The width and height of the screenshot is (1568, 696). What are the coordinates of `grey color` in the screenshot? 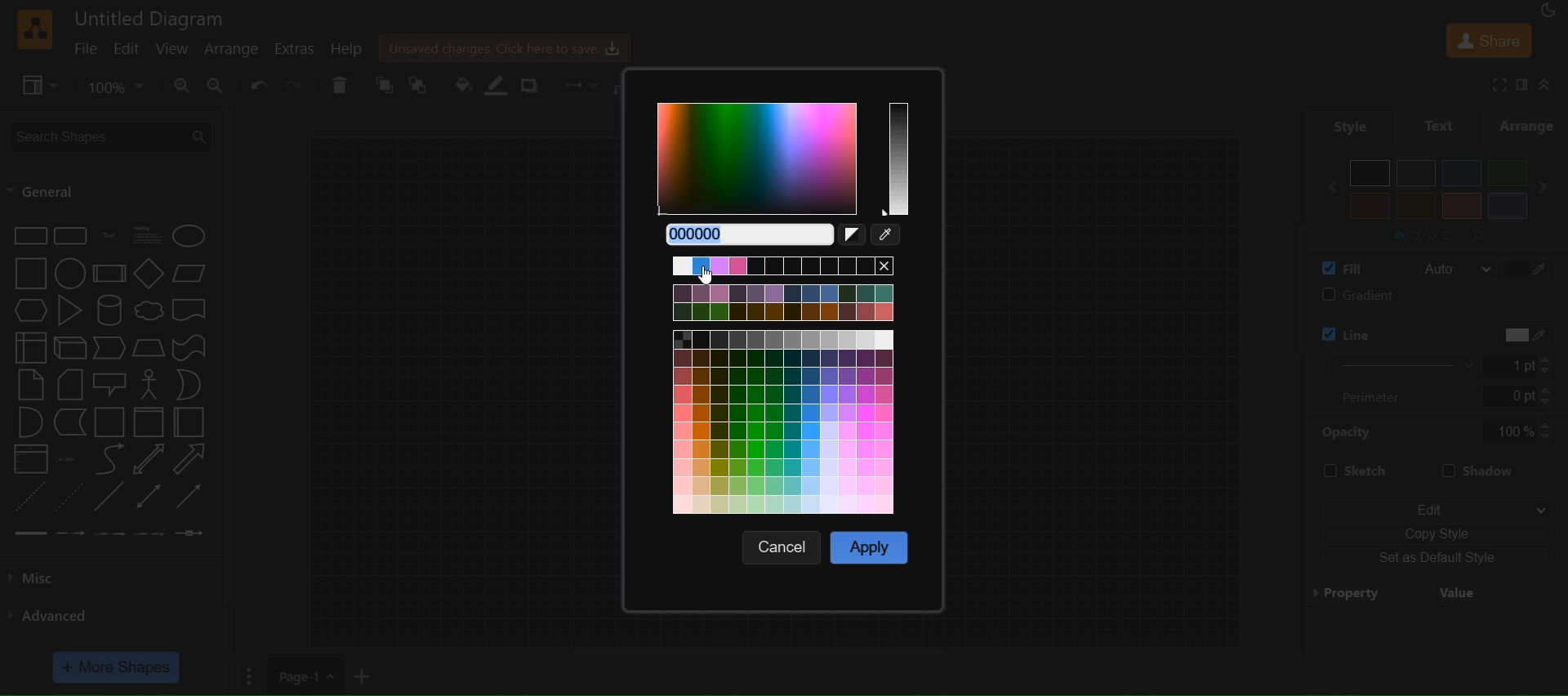 It's located at (1417, 172).